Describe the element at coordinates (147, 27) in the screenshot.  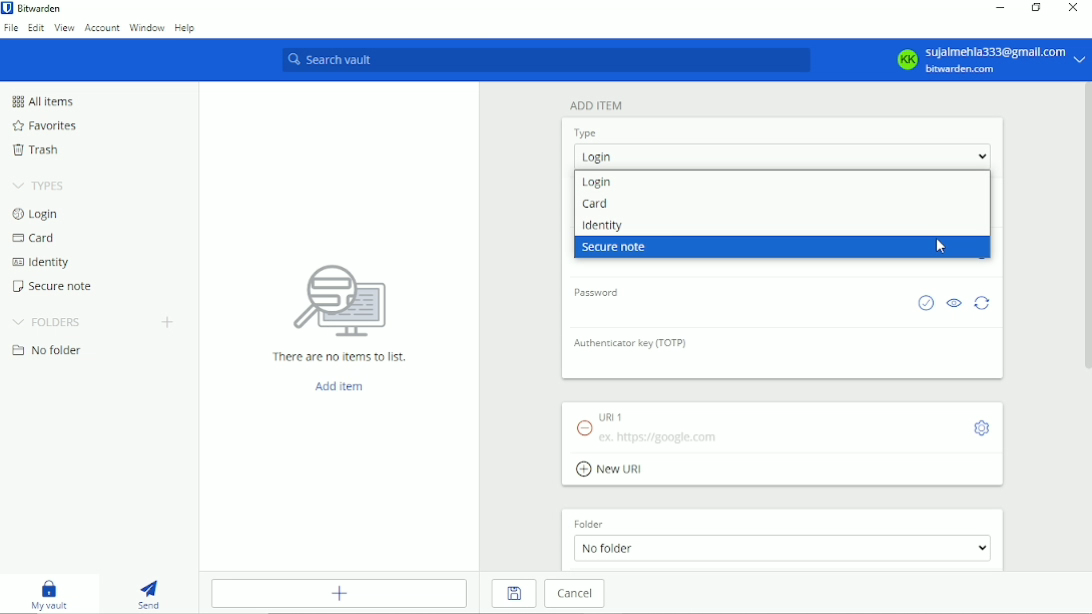
I see `Window` at that location.